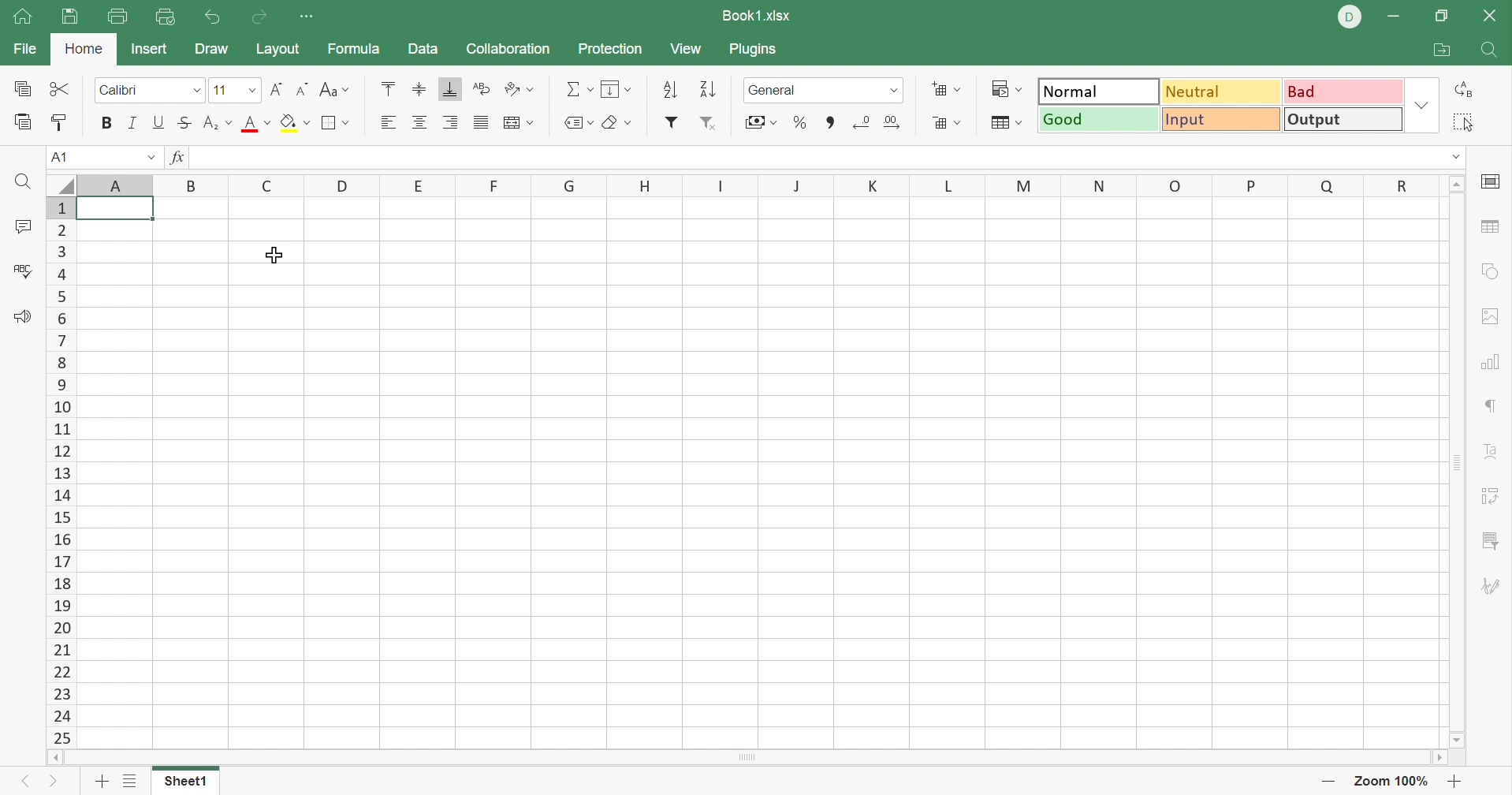 The height and width of the screenshot is (795, 1512). Describe the element at coordinates (1495, 318) in the screenshot. I see `Image settings` at that location.